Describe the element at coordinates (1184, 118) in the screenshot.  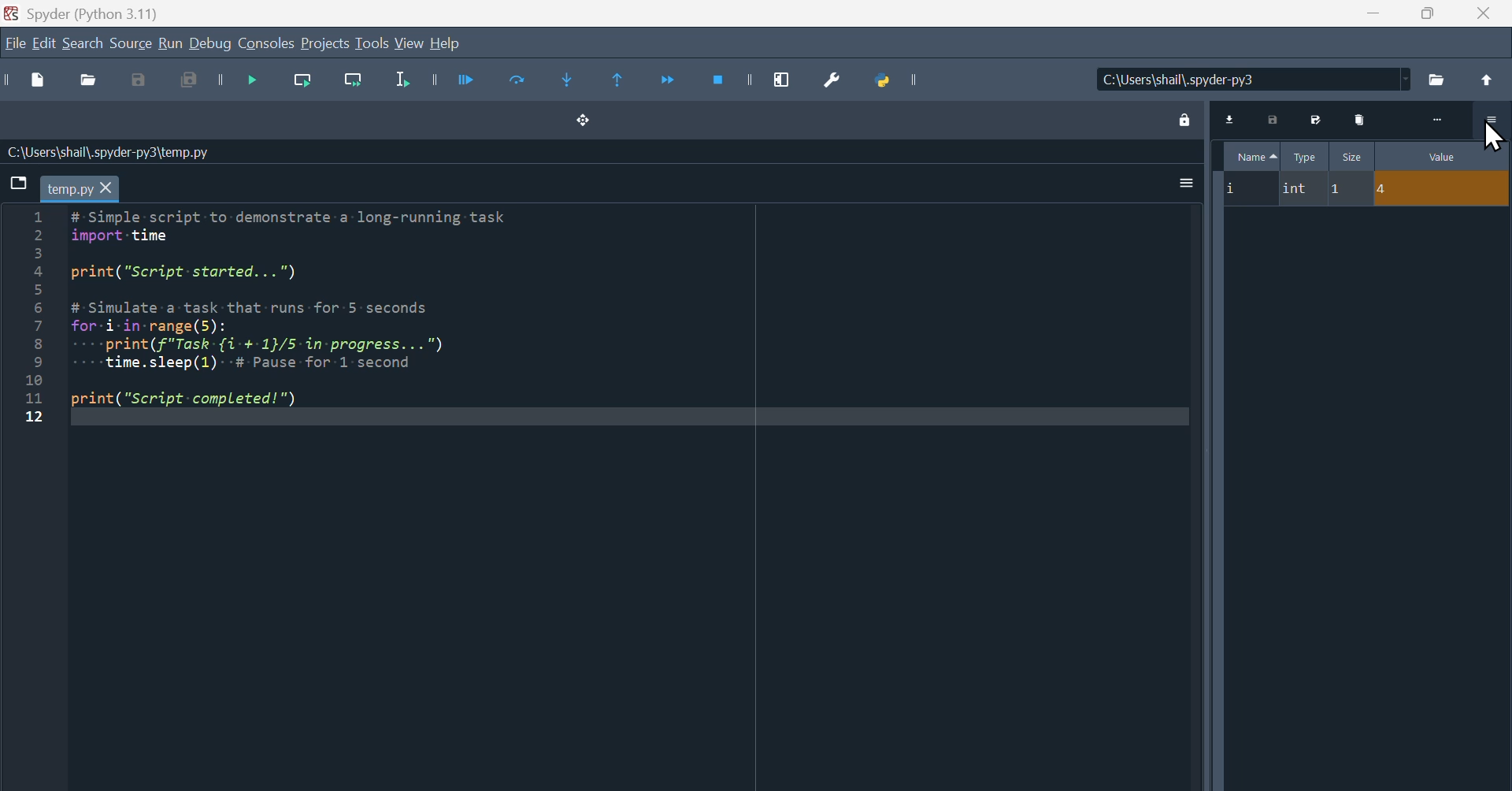
I see `Lock button` at that location.